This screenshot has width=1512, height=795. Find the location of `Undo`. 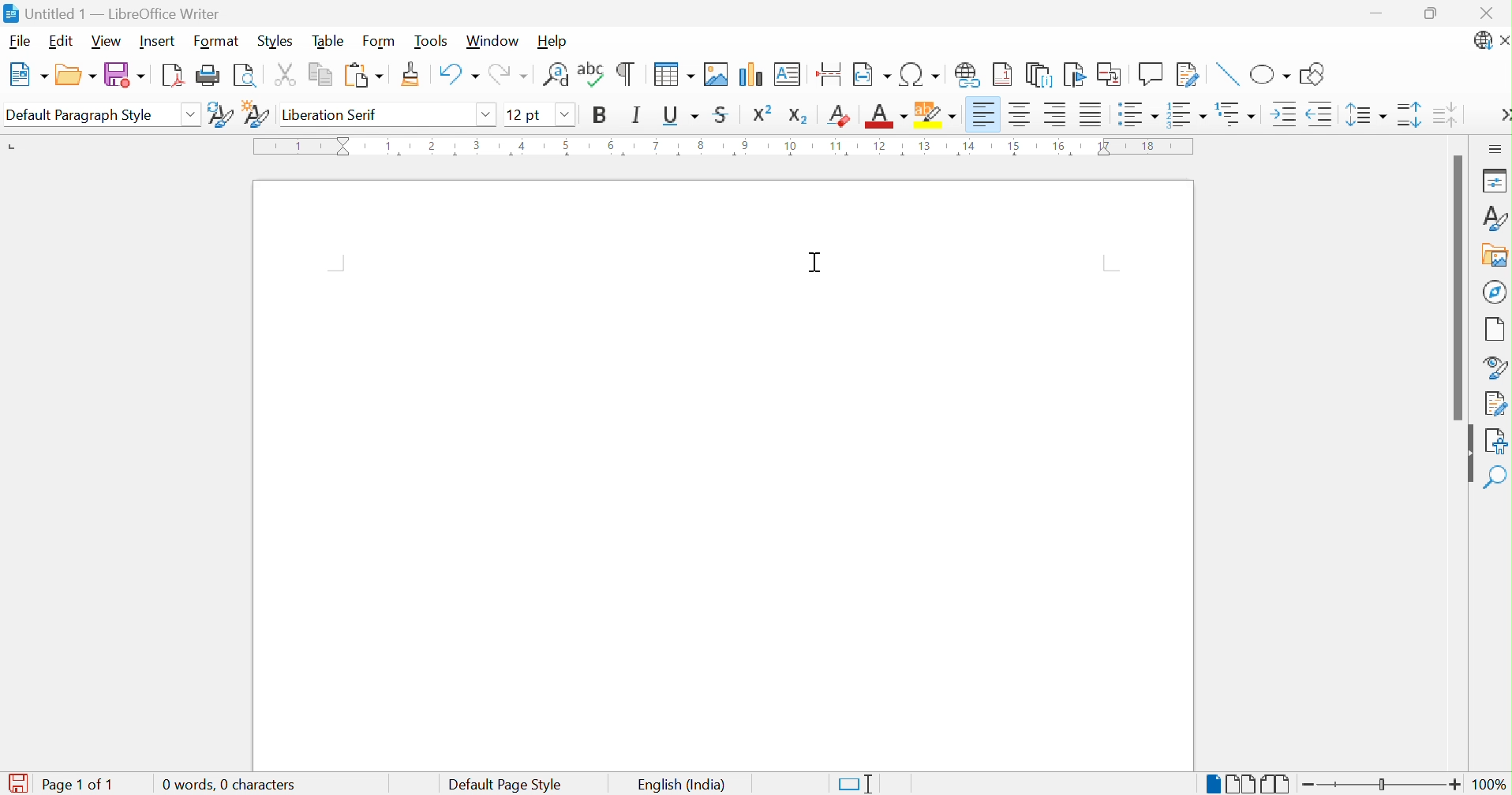

Undo is located at coordinates (458, 72).